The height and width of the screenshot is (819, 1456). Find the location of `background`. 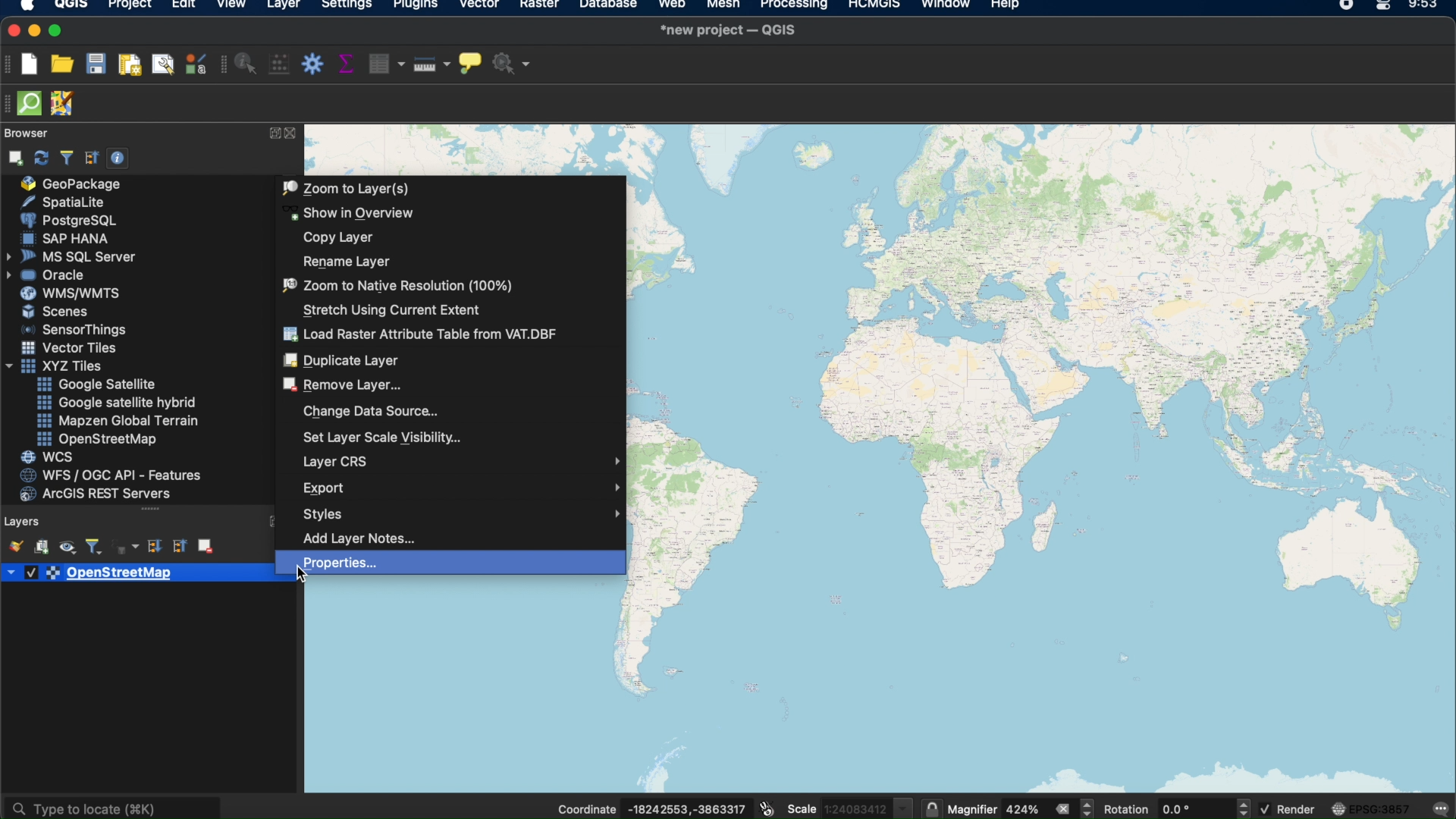

background is located at coordinates (466, 149).